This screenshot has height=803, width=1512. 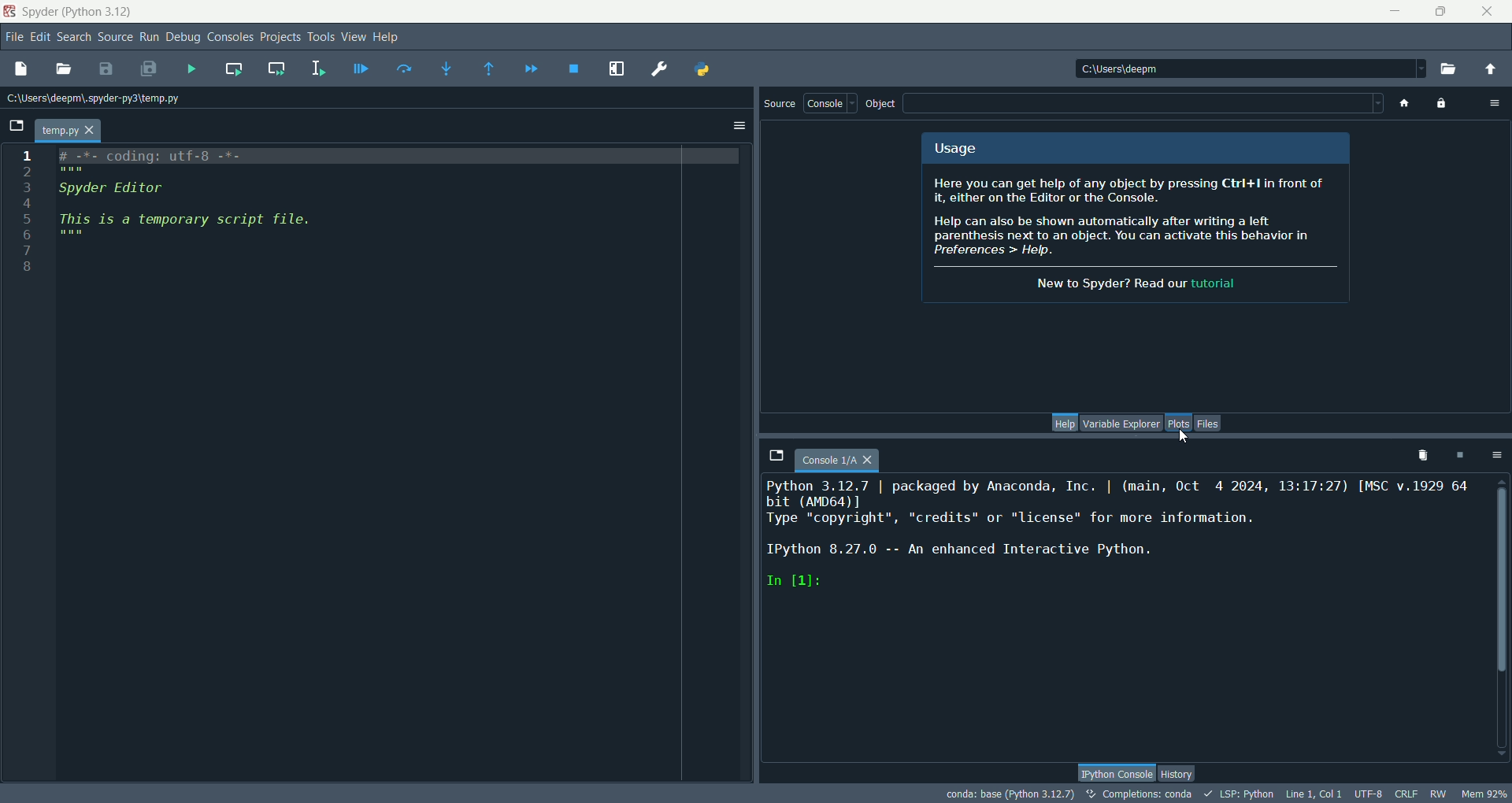 What do you see at coordinates (490, 69) in the screenshot?
I see `run until current function returns` at bounding box center [490, 69].